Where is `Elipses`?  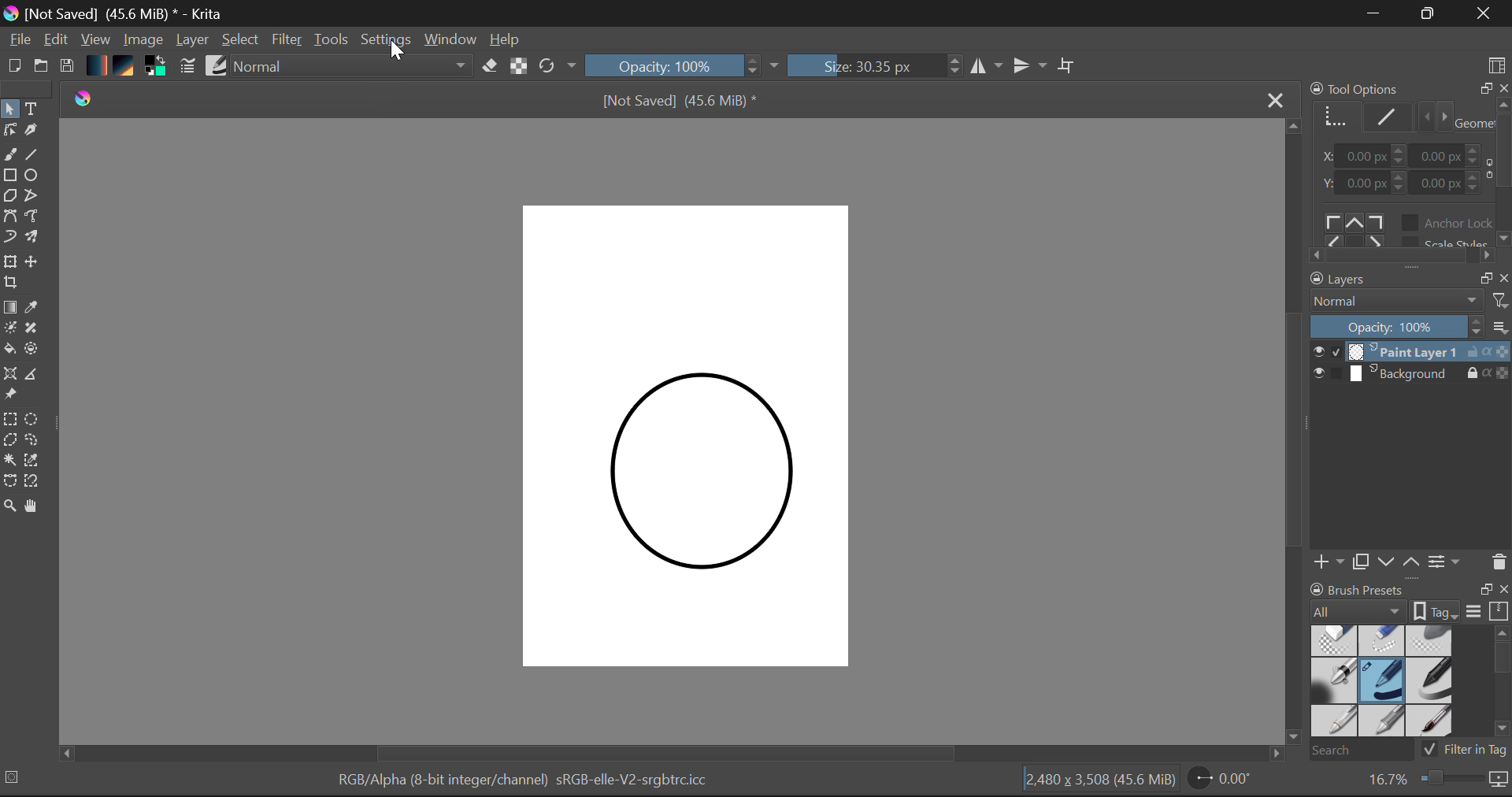
Elipses is located at coordinates (35, 175).